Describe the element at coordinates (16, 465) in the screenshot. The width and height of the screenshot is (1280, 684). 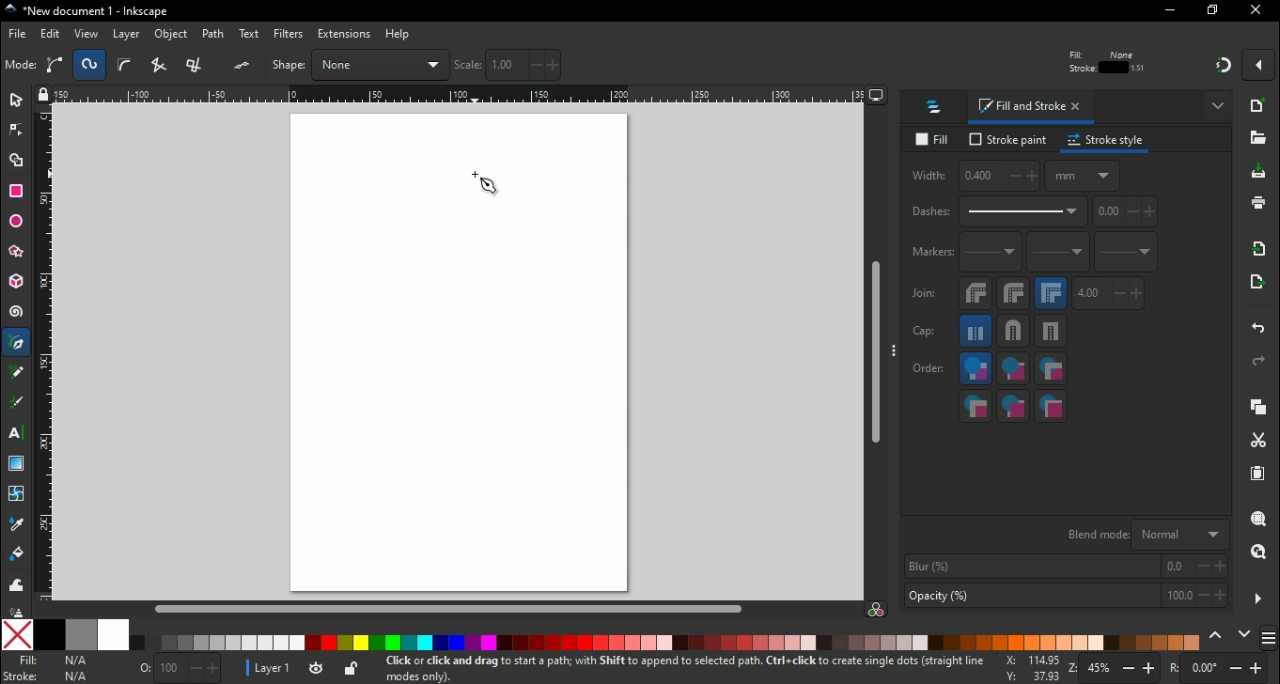
I see `gradient tool` at that location.